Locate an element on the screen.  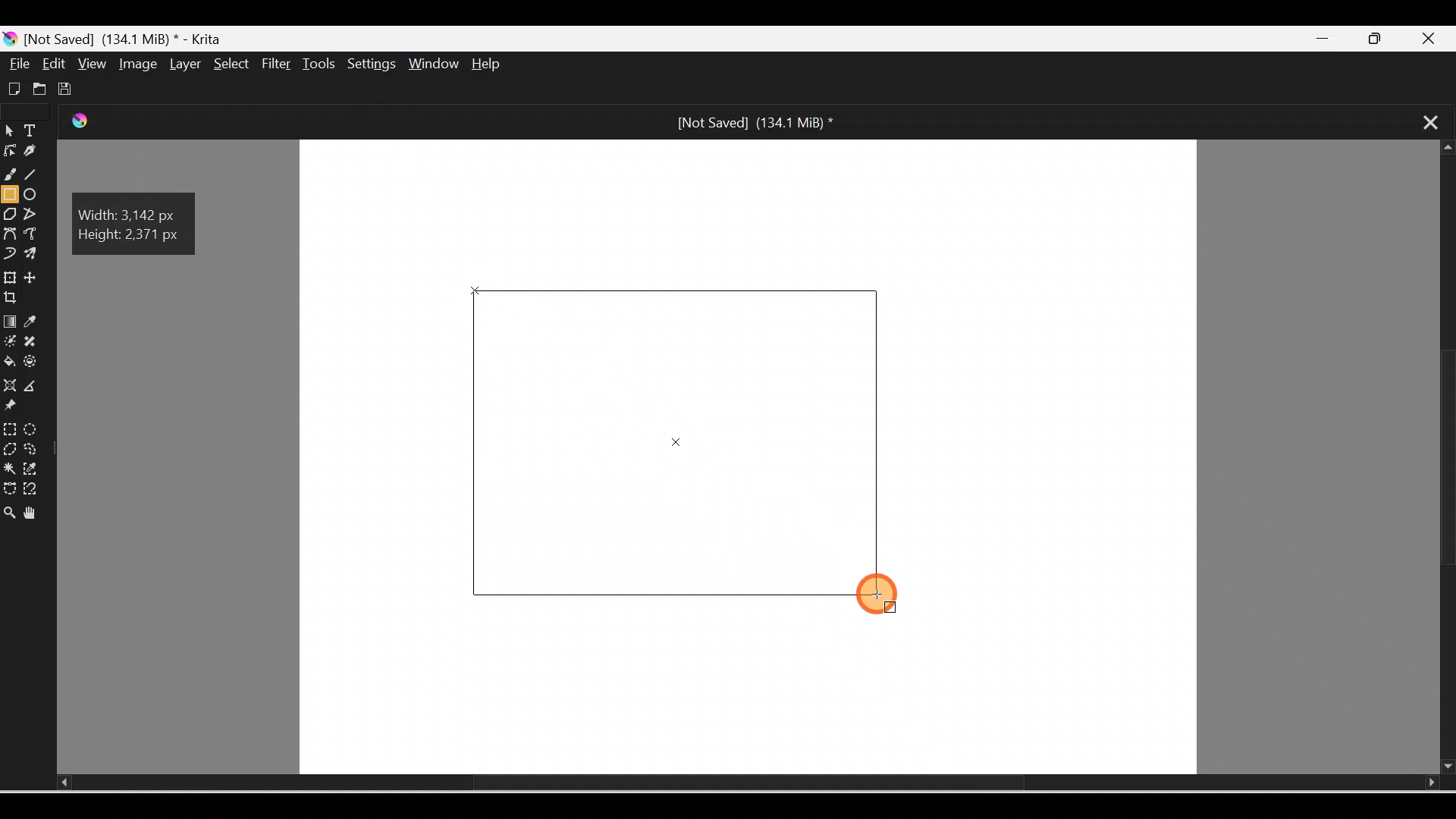
Minimize is located at coordinates (1326, 39).